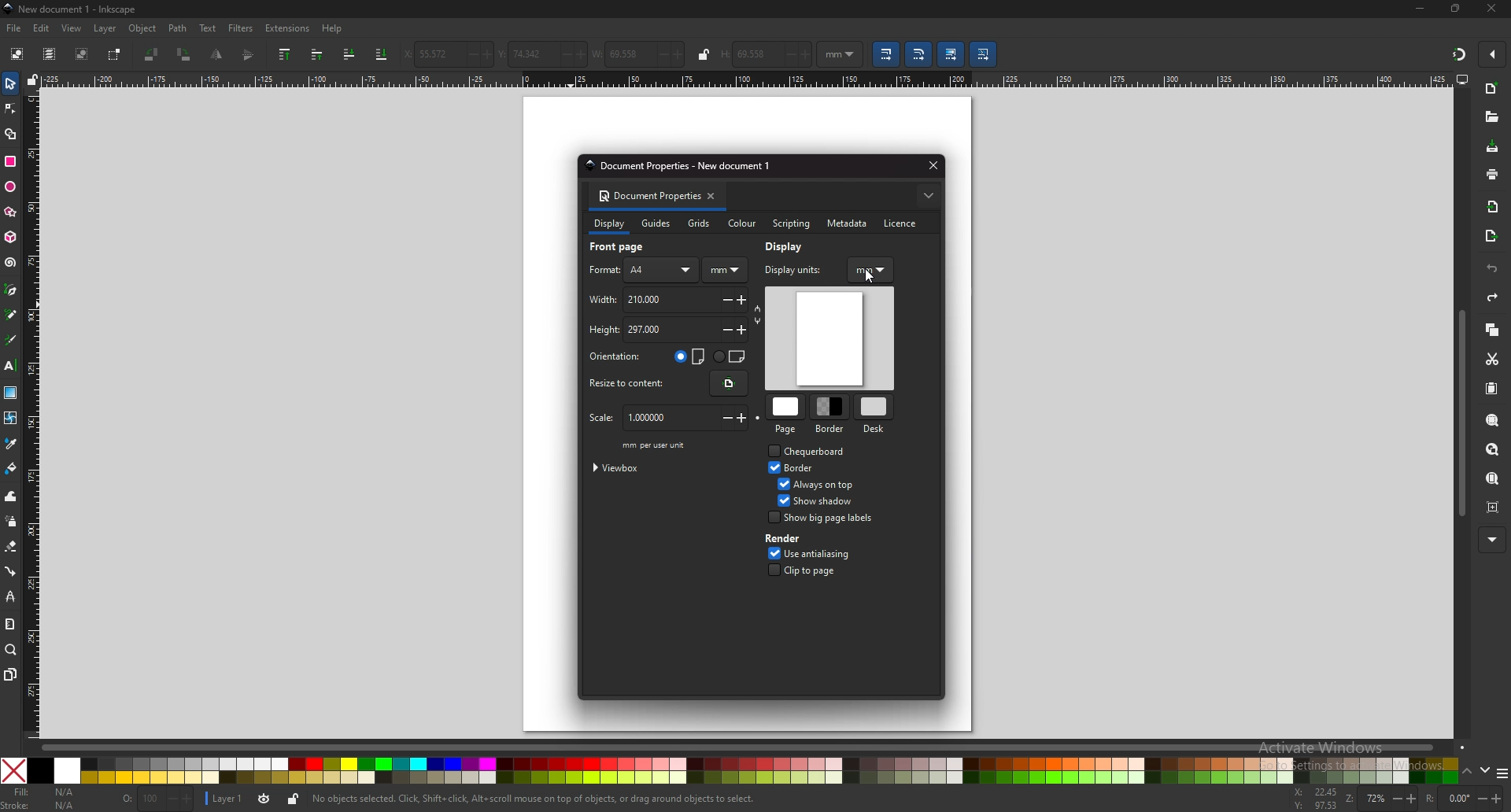 The height and width of the screenshot is (812, 1511). What do you see at coordinates (1478, 798) in the screenshot?
I see `-` at bounding box center [1478, 798].